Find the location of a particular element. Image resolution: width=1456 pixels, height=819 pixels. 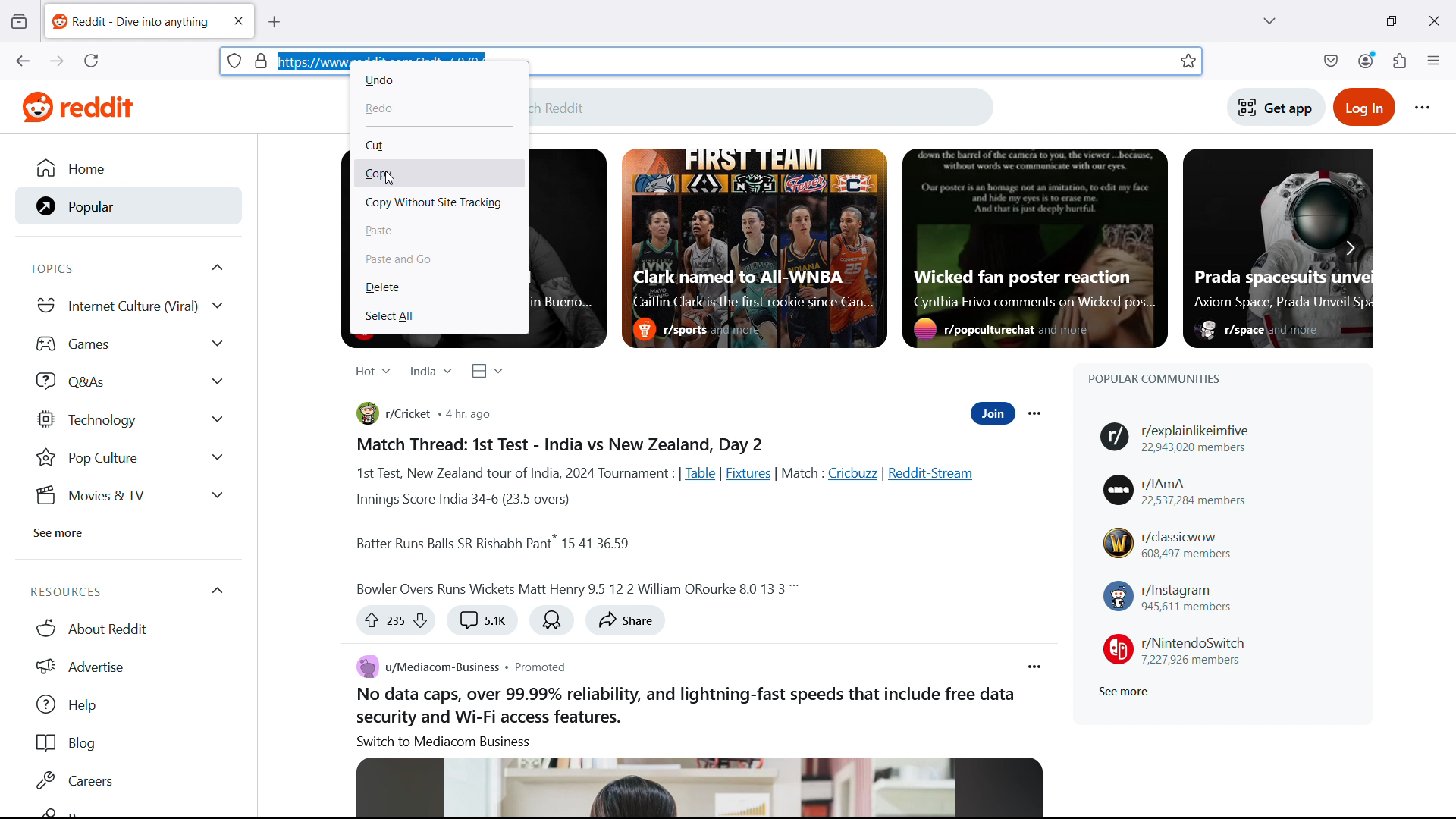

Movies  & tv is located at coordinates (127, 497).